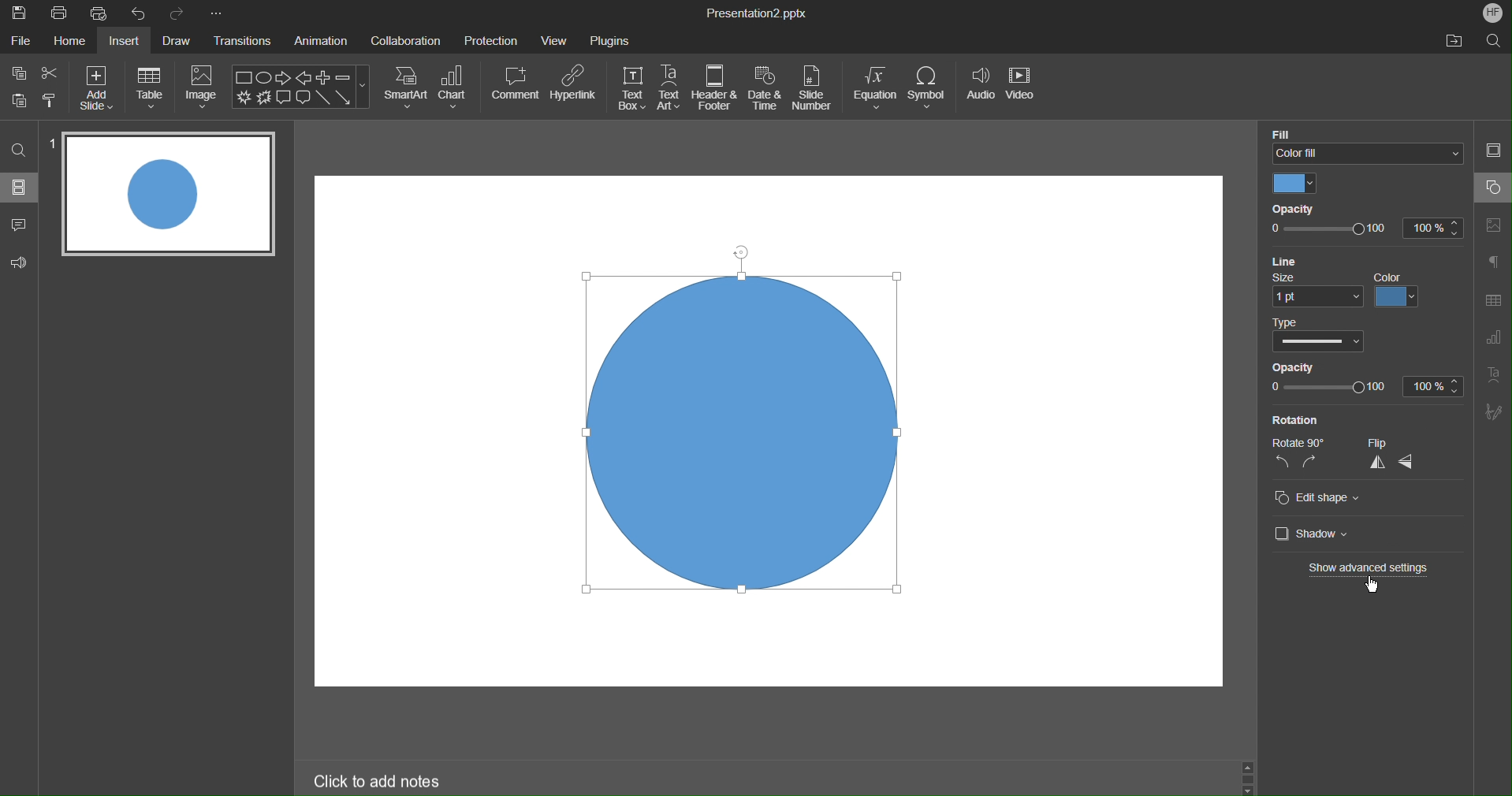 The width and height of the screenshot is (1512, 796). I want to click on Date & Time, so click(765, 88).